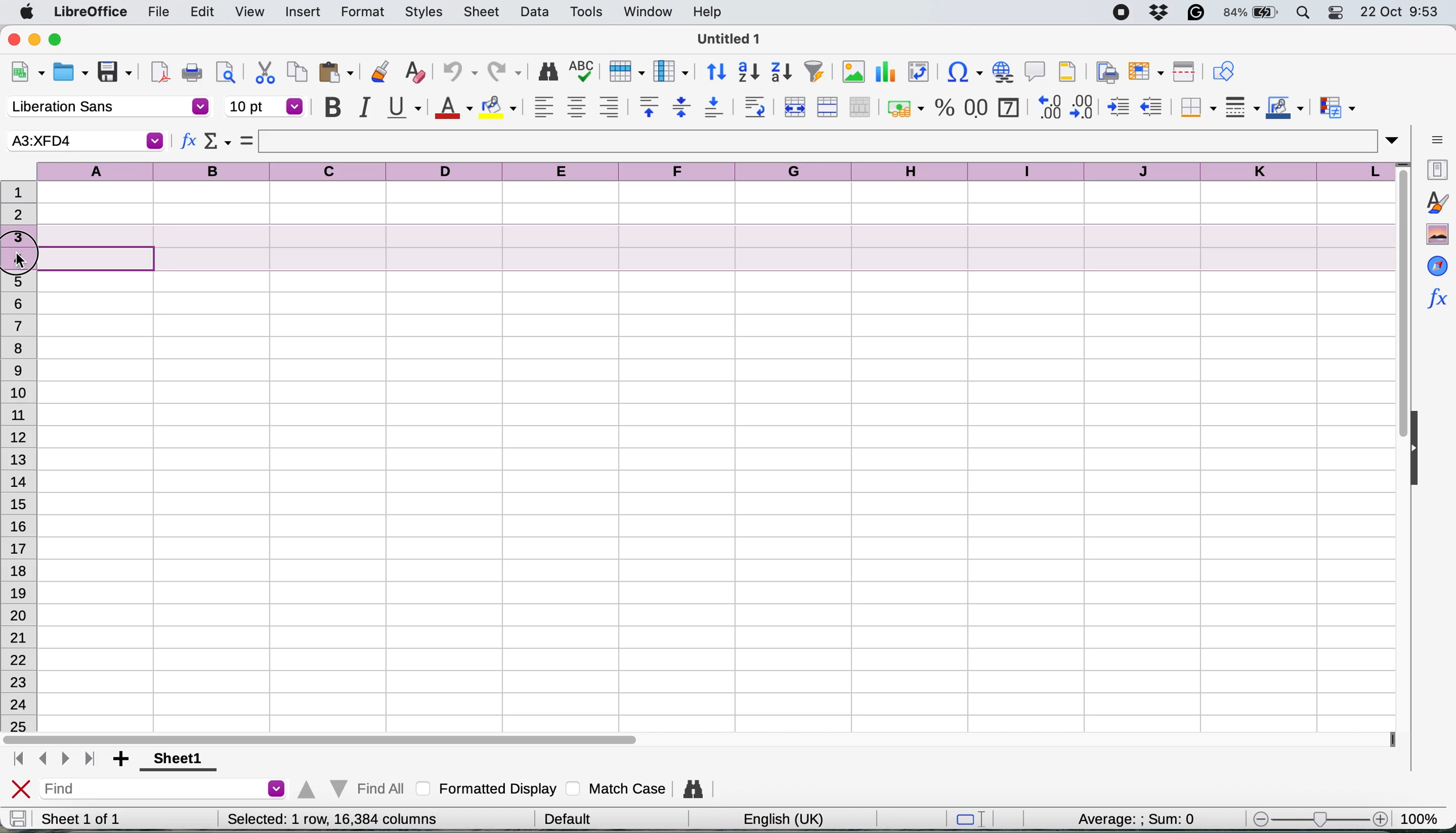 The image size is (1456, 833). What do you see at coordinates (204, 11) in the screenshot?
I see `edit` at bounding box center [204, 11].